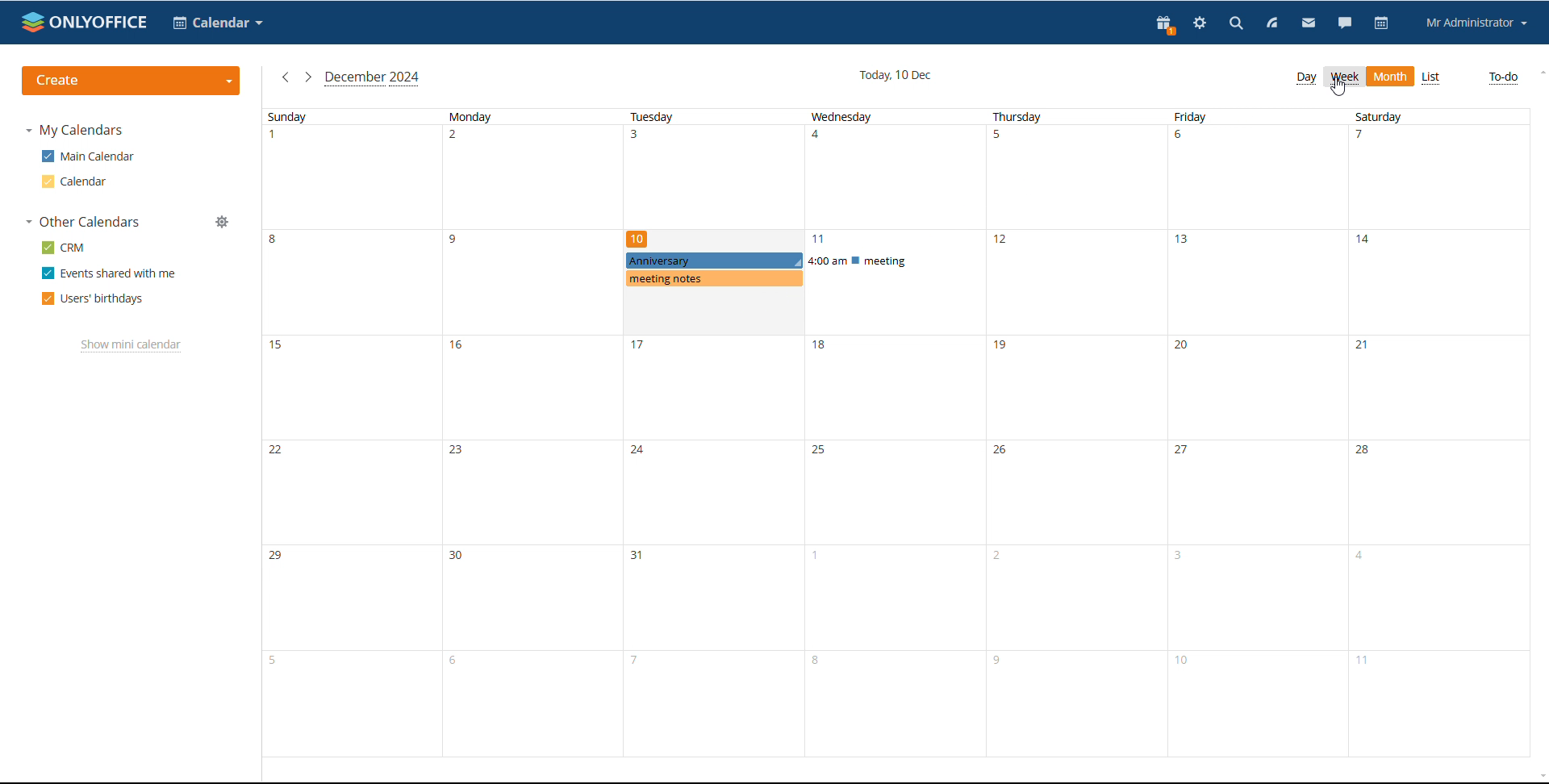 This screenshot has height=784, width=1549. What do you see at coordinates (83, 223) in the screenshot?
I see `other calendars` at bounding box center [83, 223].